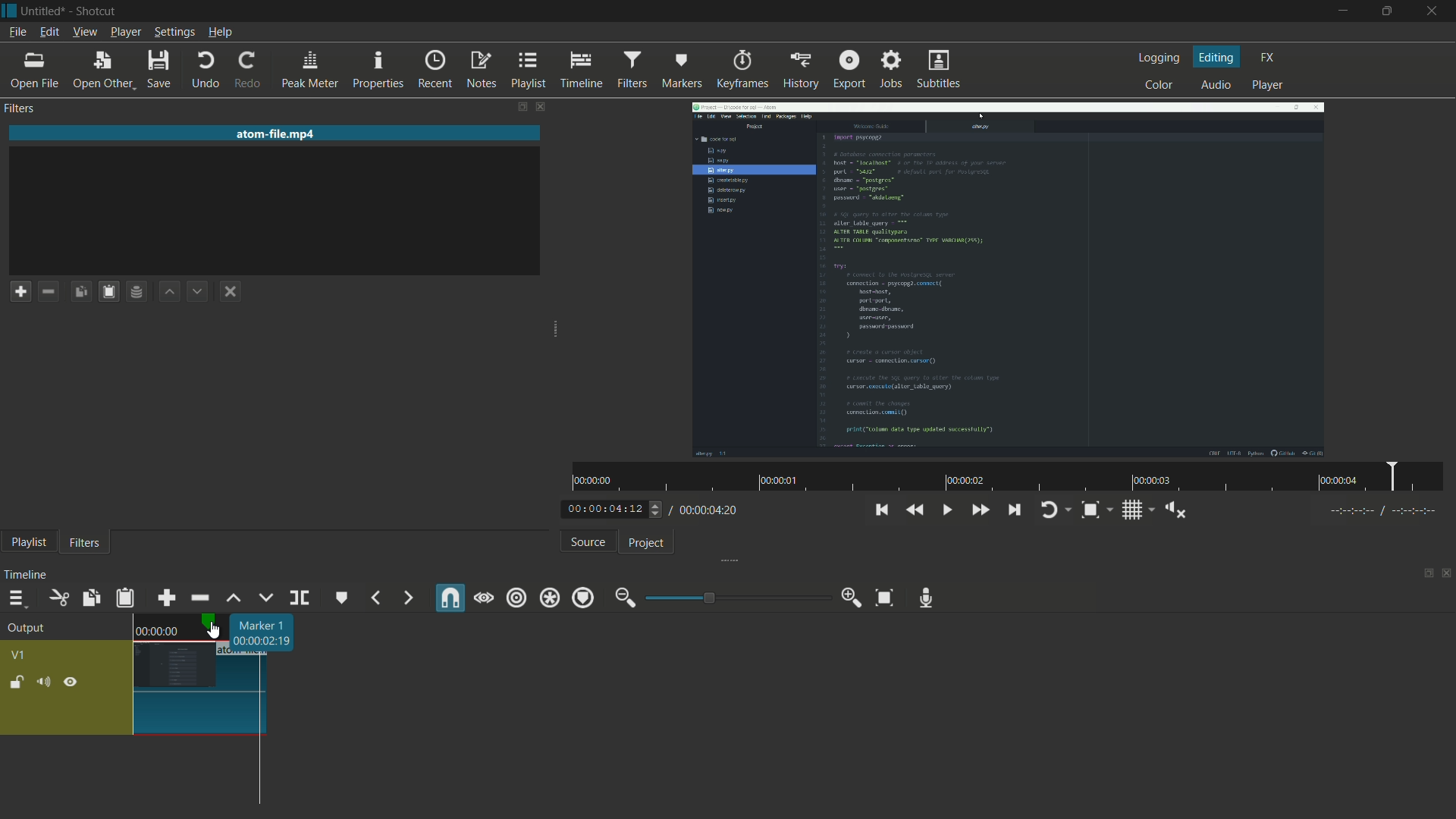 The image size is (1456, 819). Describe the element at coordinates (1390, 11) in the screenshot. I see `maximize` at that location.